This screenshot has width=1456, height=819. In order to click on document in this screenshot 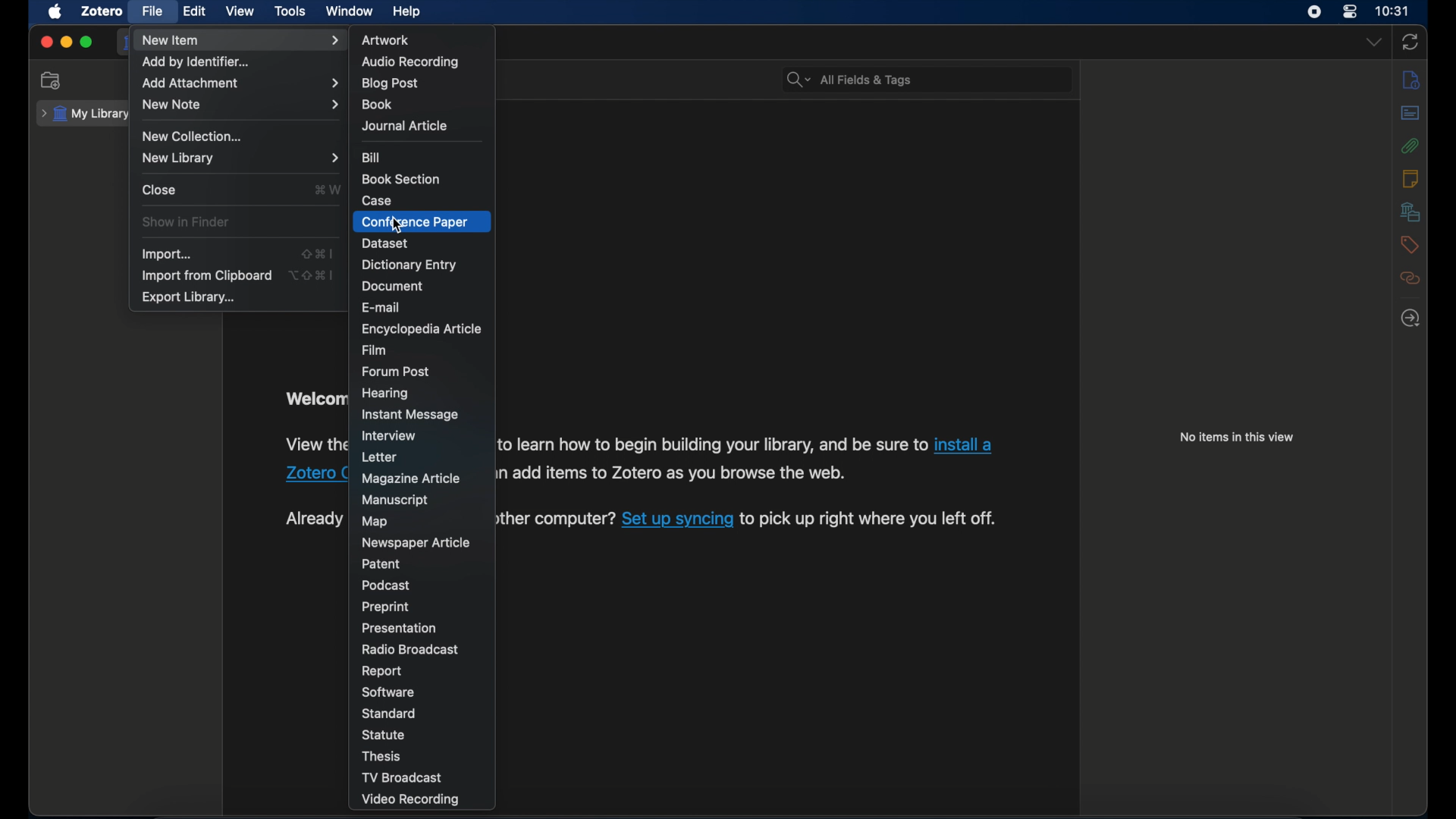, I will do `click(393, 286)`.